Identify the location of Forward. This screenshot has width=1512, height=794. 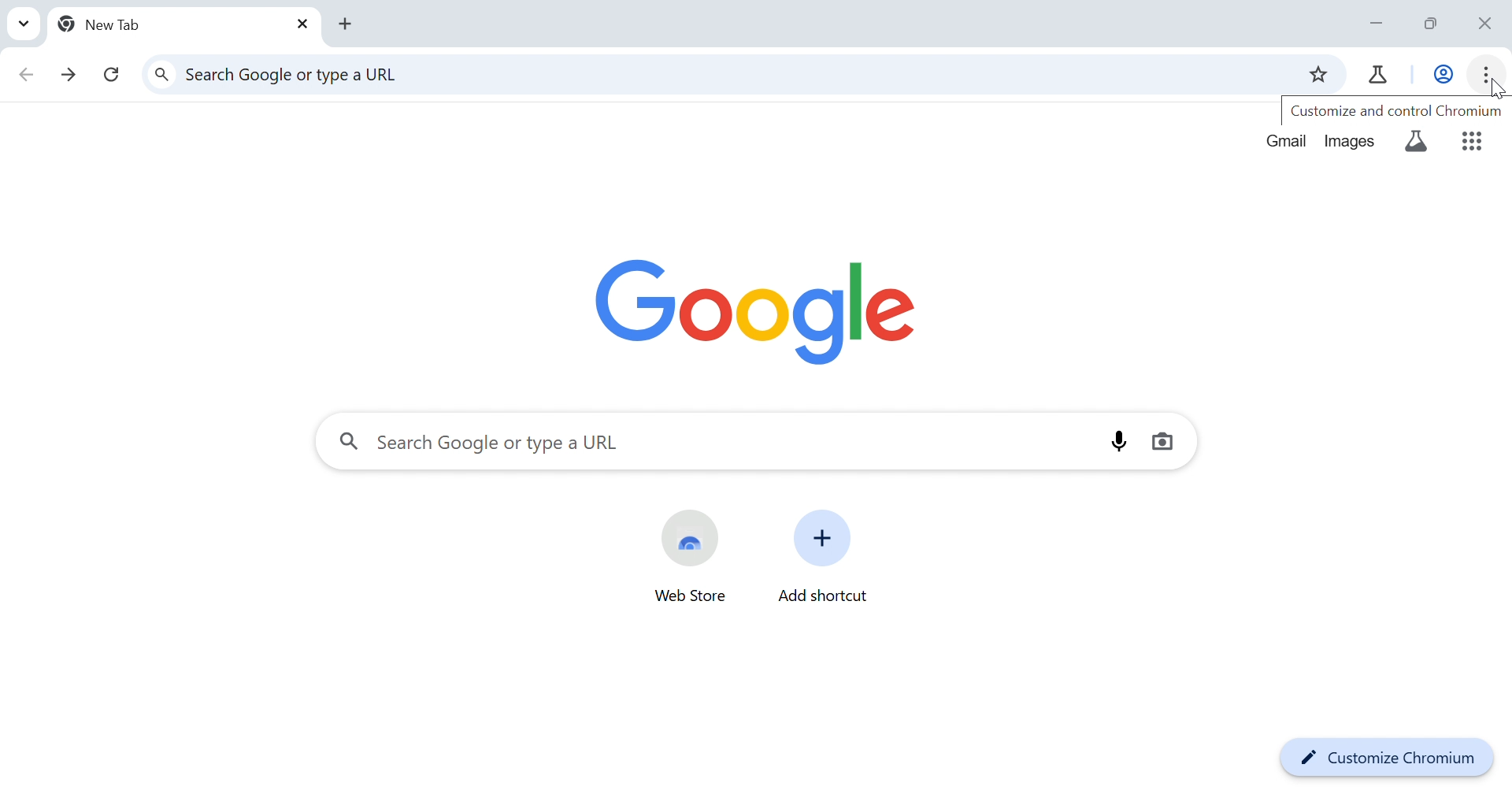
(70, 78).